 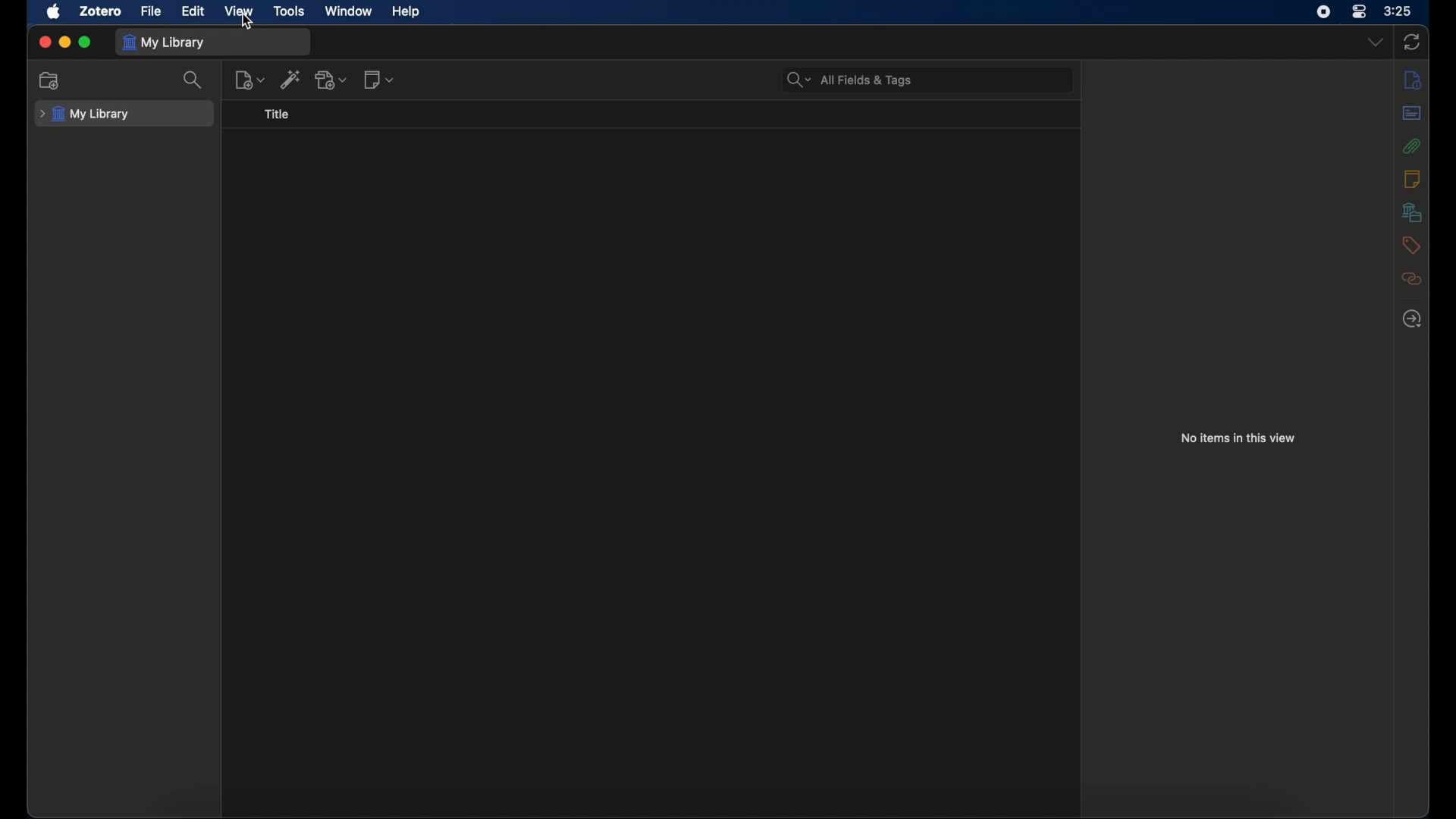 What do you see at coordinates (1412, 319) in the screenshot?
I see `locate` at bounding box center [1412, 319].